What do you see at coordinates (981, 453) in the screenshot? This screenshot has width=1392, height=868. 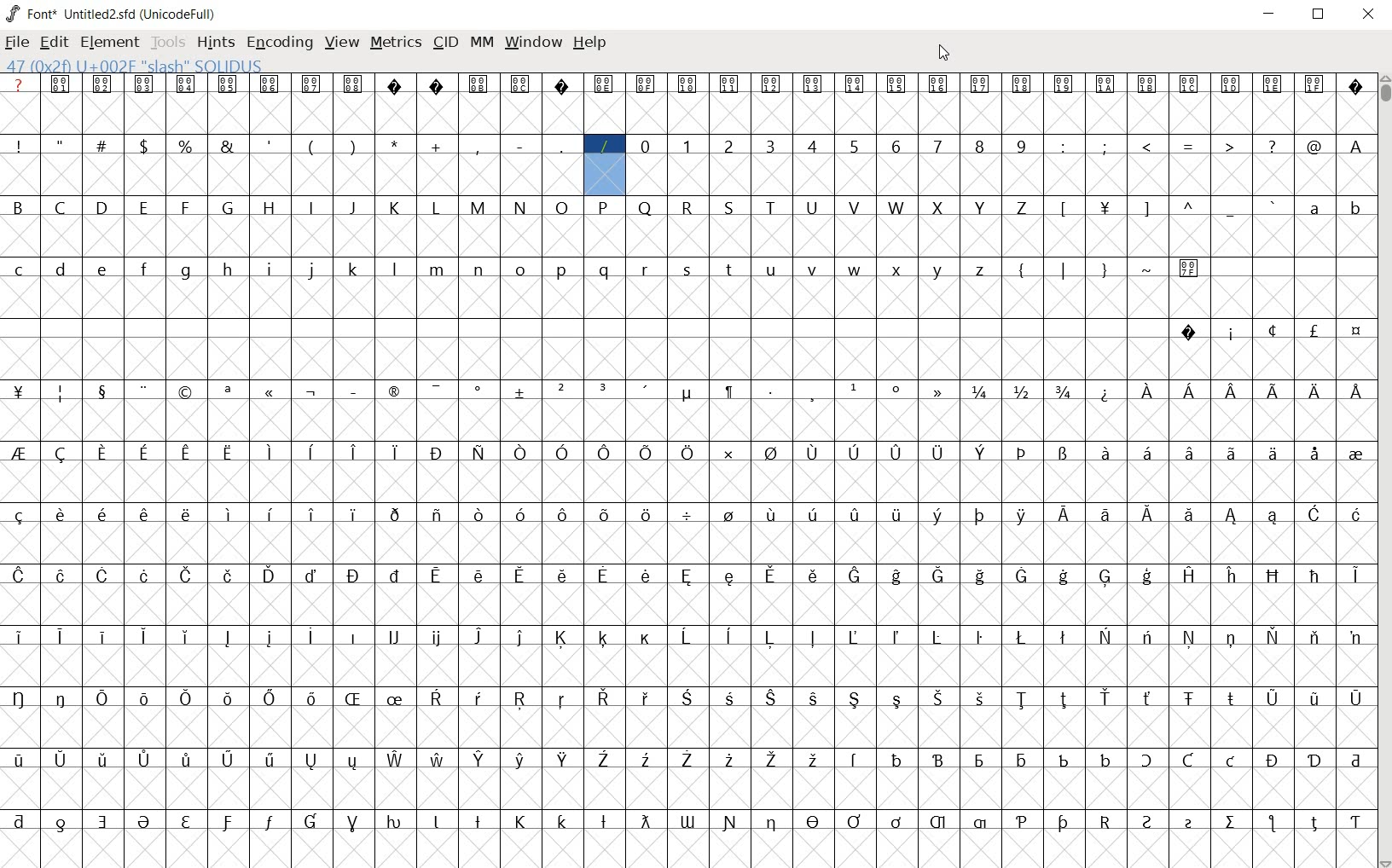 I see `glyph` at bounding box center [981, 453].